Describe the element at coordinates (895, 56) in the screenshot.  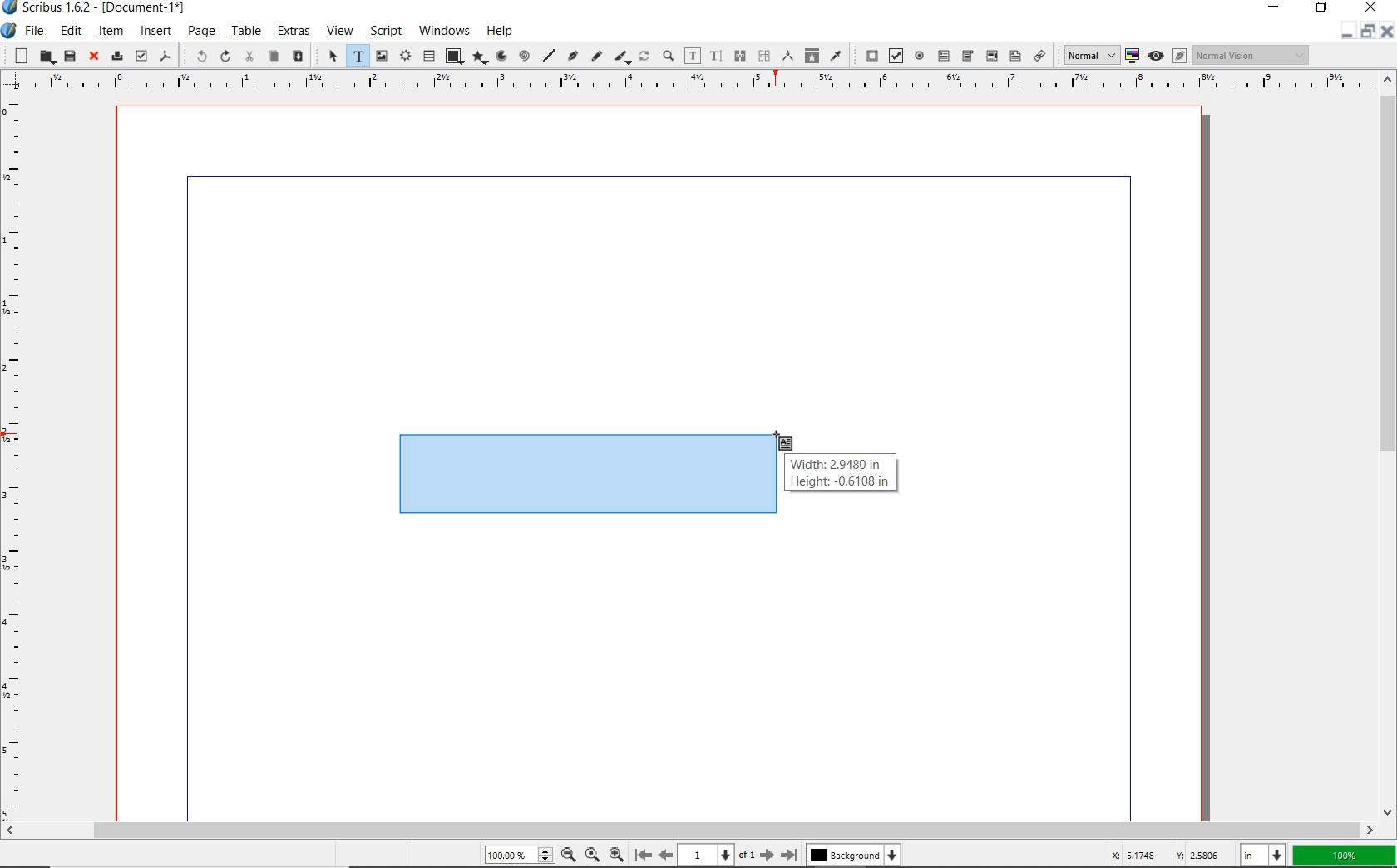
I see `pdf check box` at that location.